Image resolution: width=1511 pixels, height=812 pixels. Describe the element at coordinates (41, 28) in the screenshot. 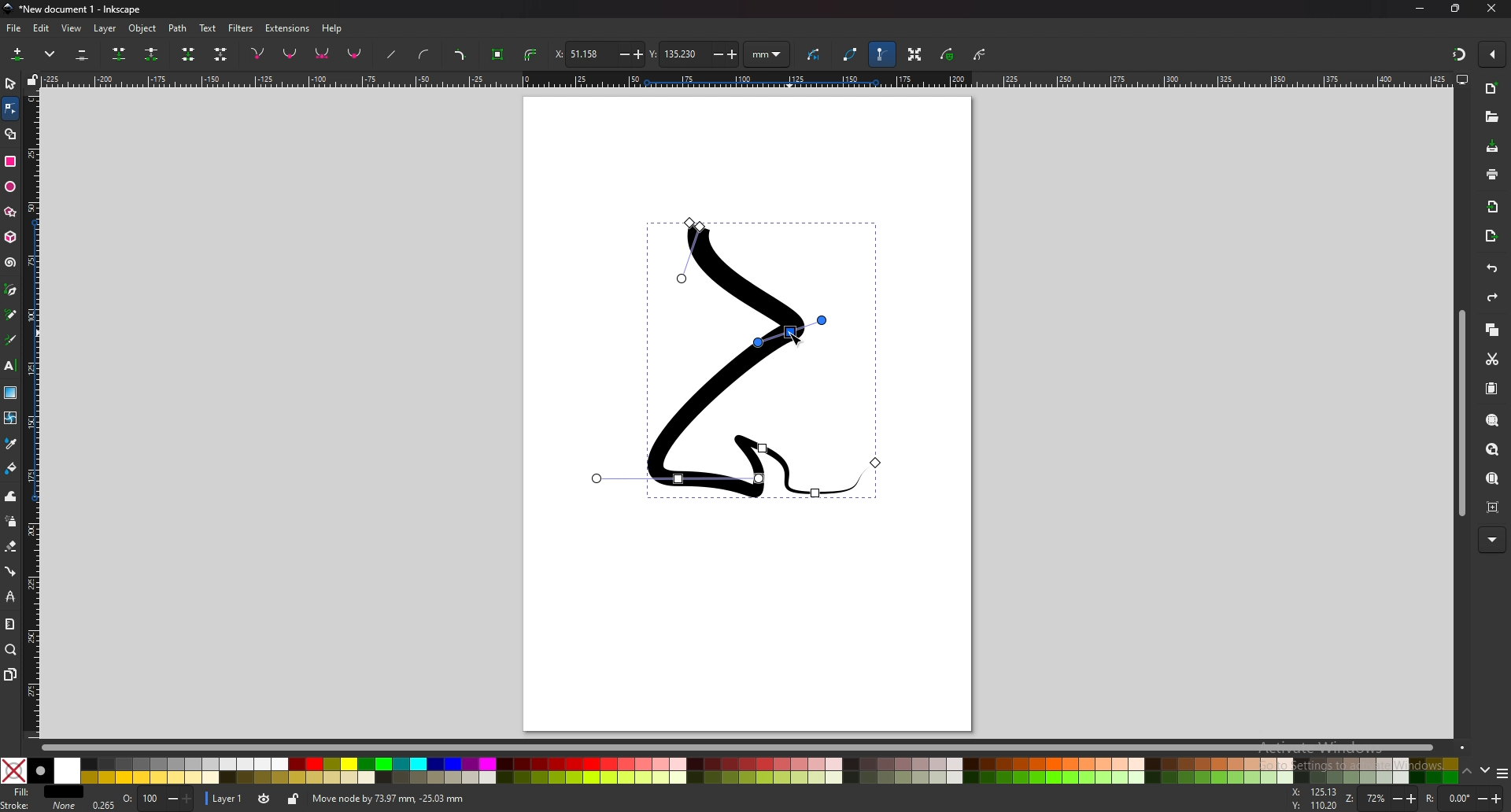

I see `edit` at that location.